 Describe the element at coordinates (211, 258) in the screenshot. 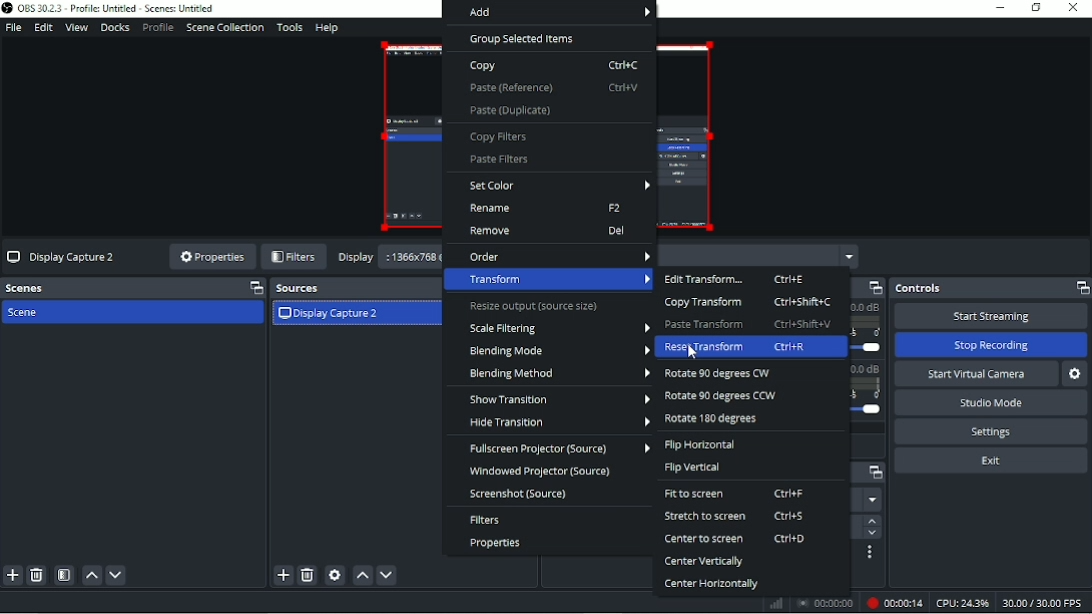

I see `Properties` at that location.